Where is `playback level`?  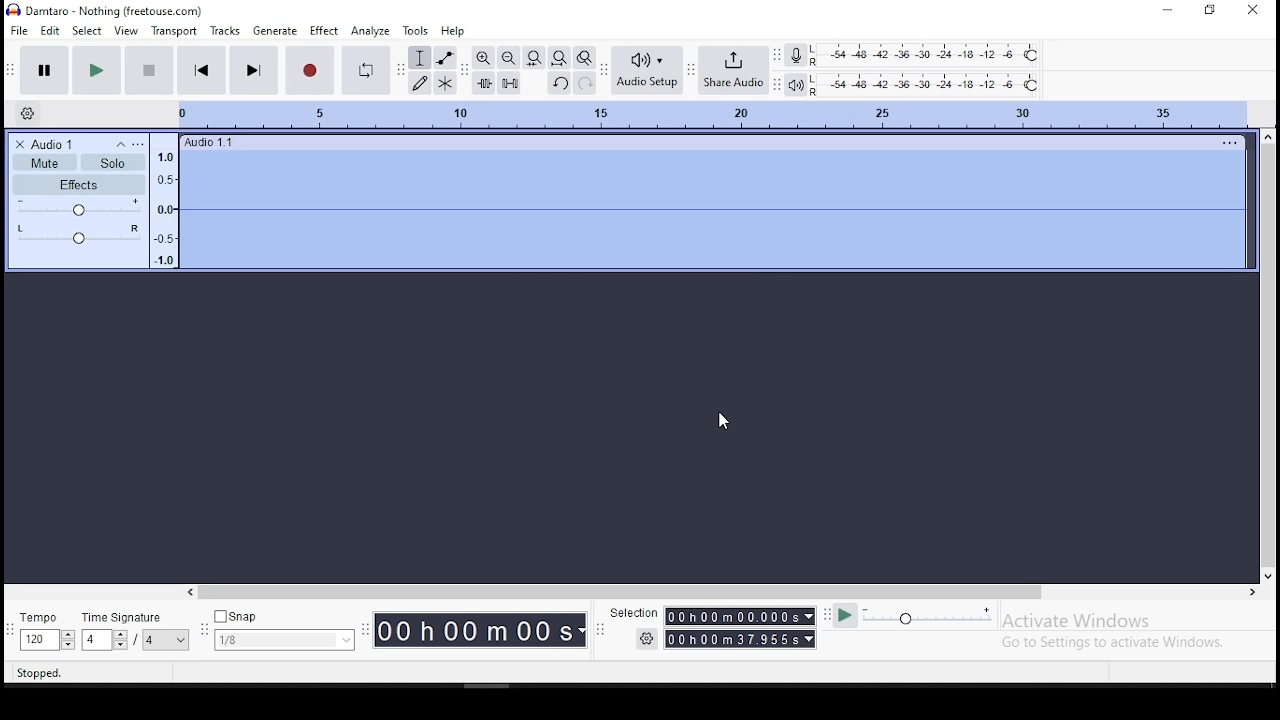 playback level is located at coordinates (929, 85).